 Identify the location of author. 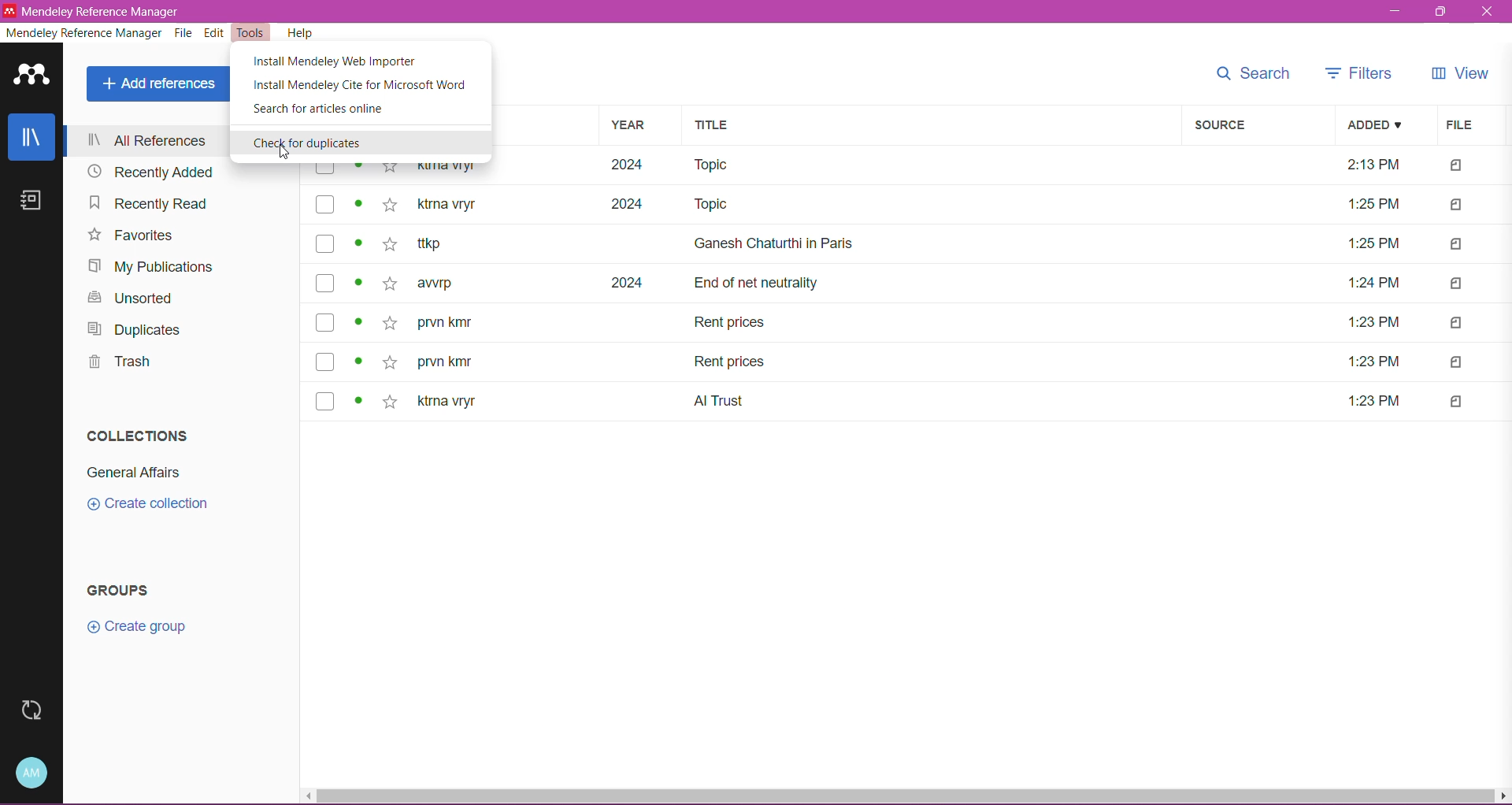
(448, 402).